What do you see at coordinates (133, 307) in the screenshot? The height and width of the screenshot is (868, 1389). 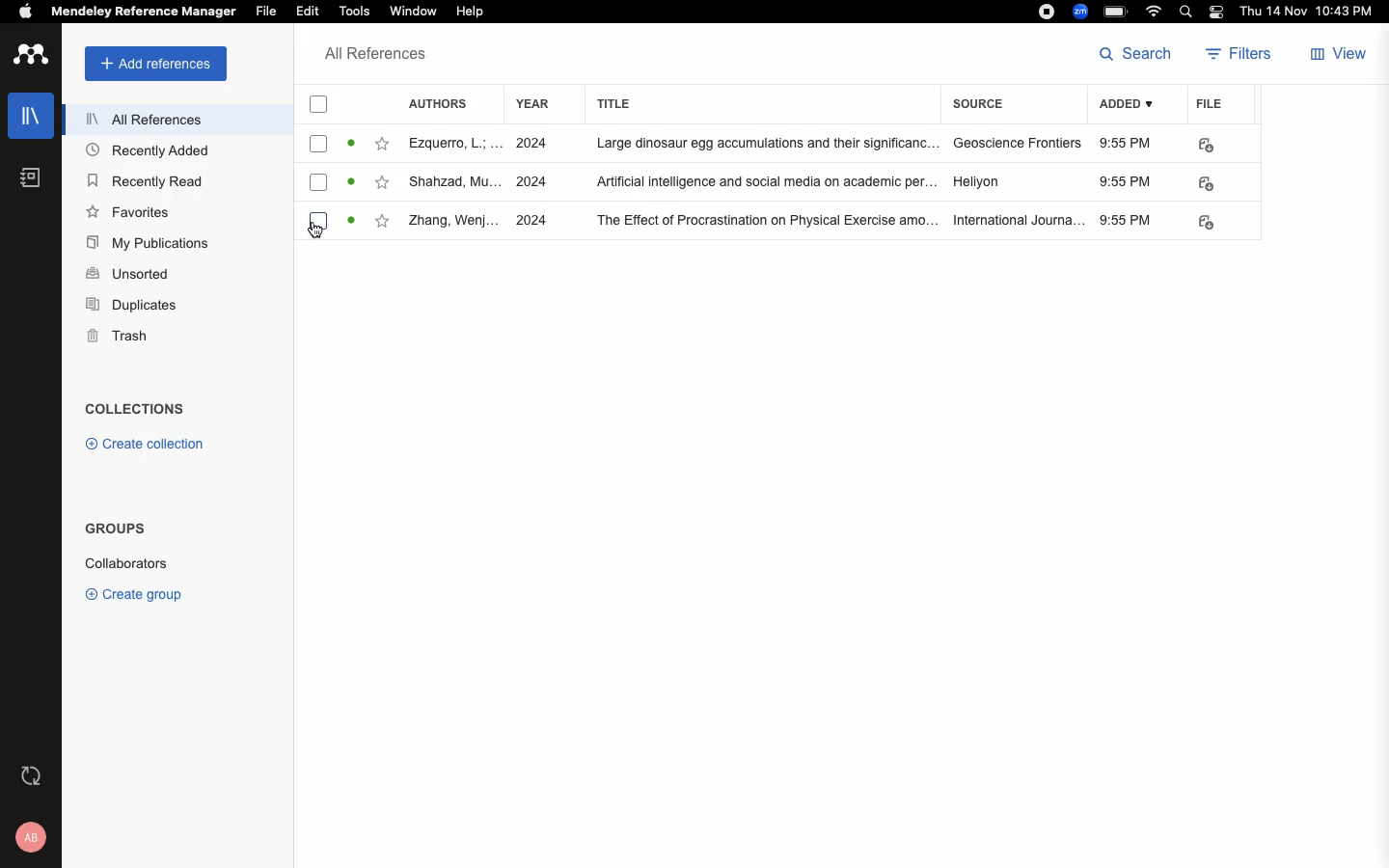 I see `Duplicates` at bounding box center [133, 307].